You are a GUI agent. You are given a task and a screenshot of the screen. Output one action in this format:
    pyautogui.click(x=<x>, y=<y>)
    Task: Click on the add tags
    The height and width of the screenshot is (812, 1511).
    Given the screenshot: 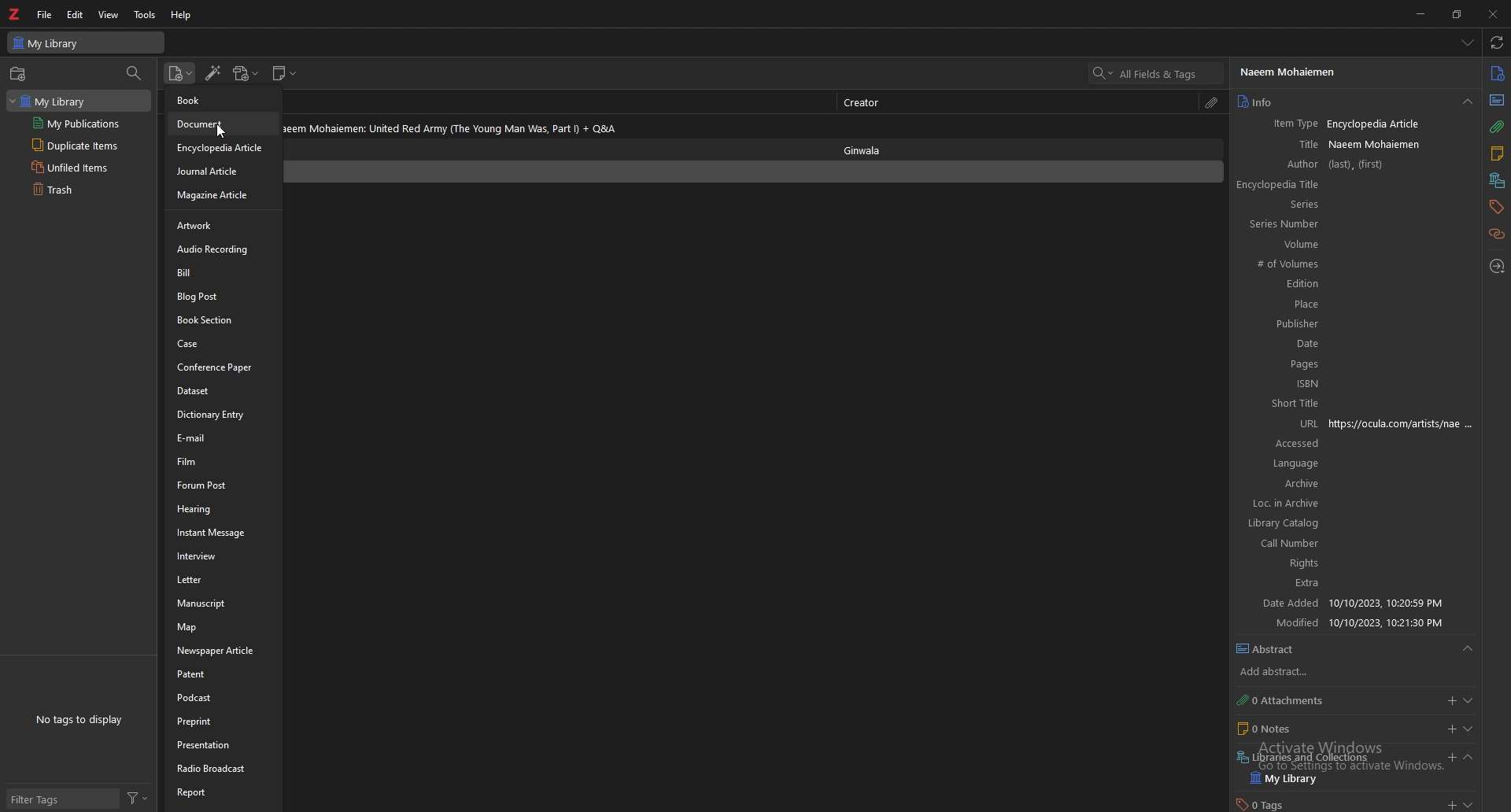 What is the action you would take?
    pyautogui.click(x=1450, y=803)
    